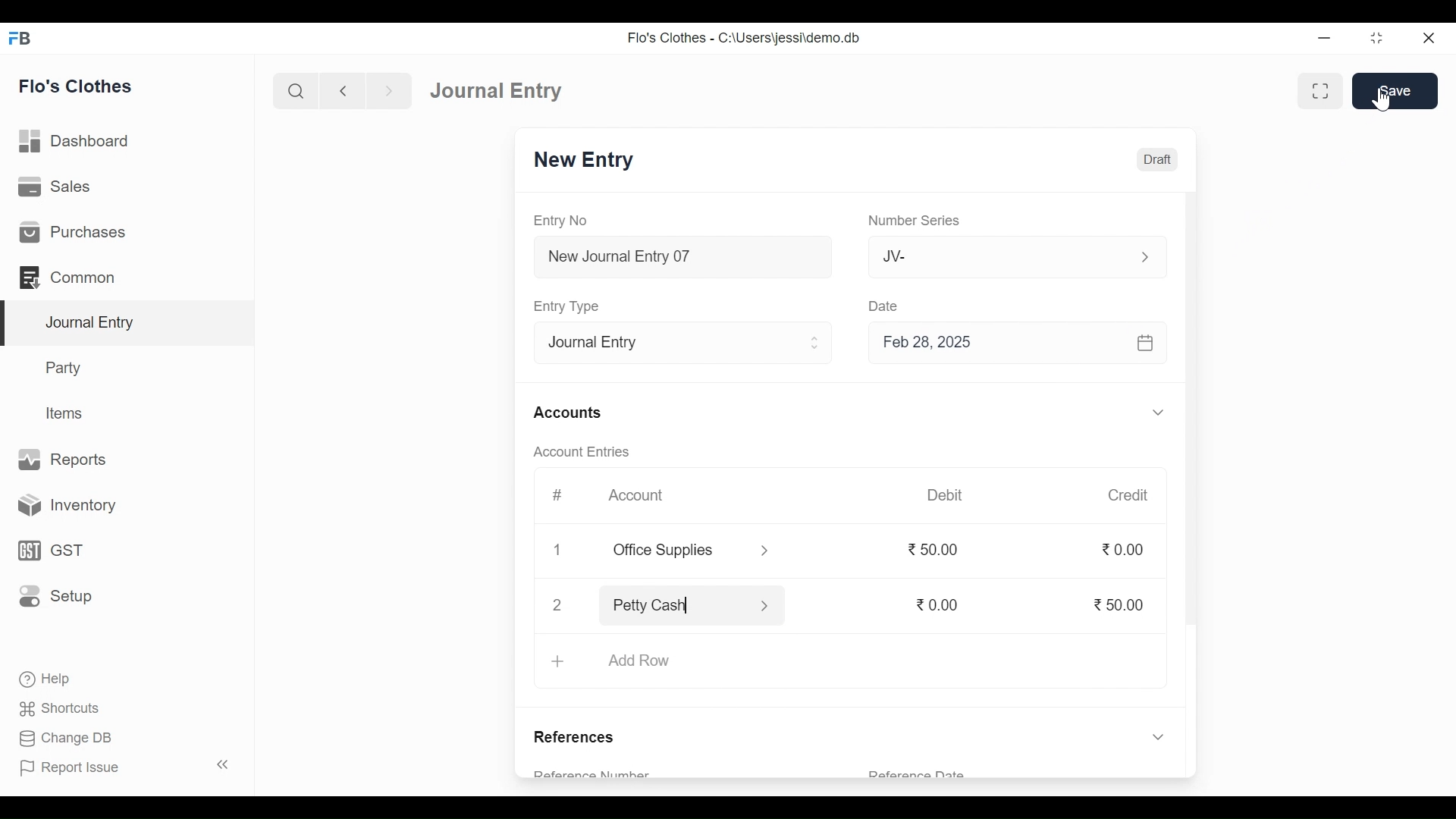 The height and width of the screenshot is (819, 1456). I want to click on Save, so click(1395, 90).